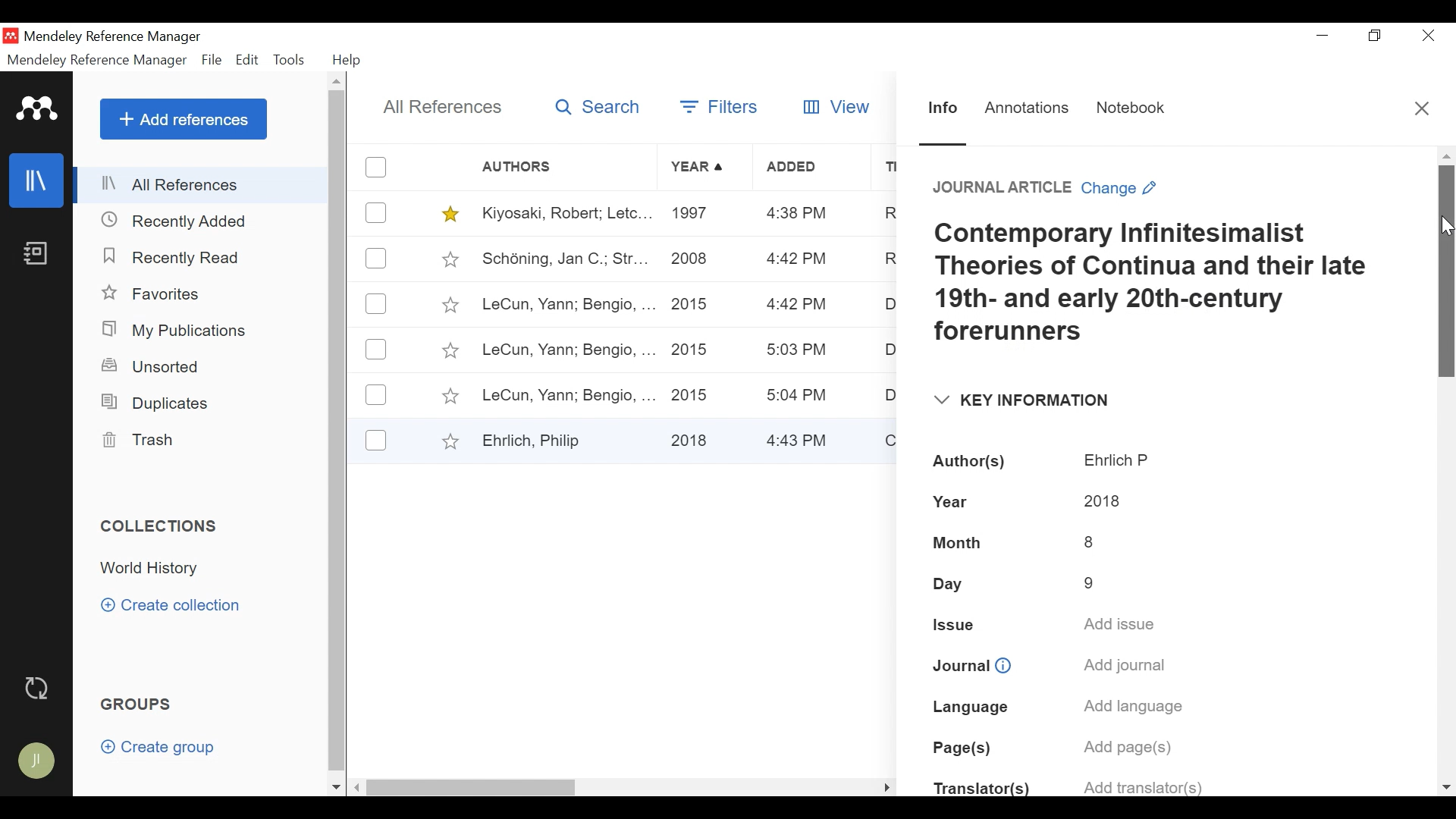 This screenshot has height=819, width=1456. What do you see at coordinates (1131, 111) in the screenshot?
I see `Notebook` at bounding box center [1131, 111].